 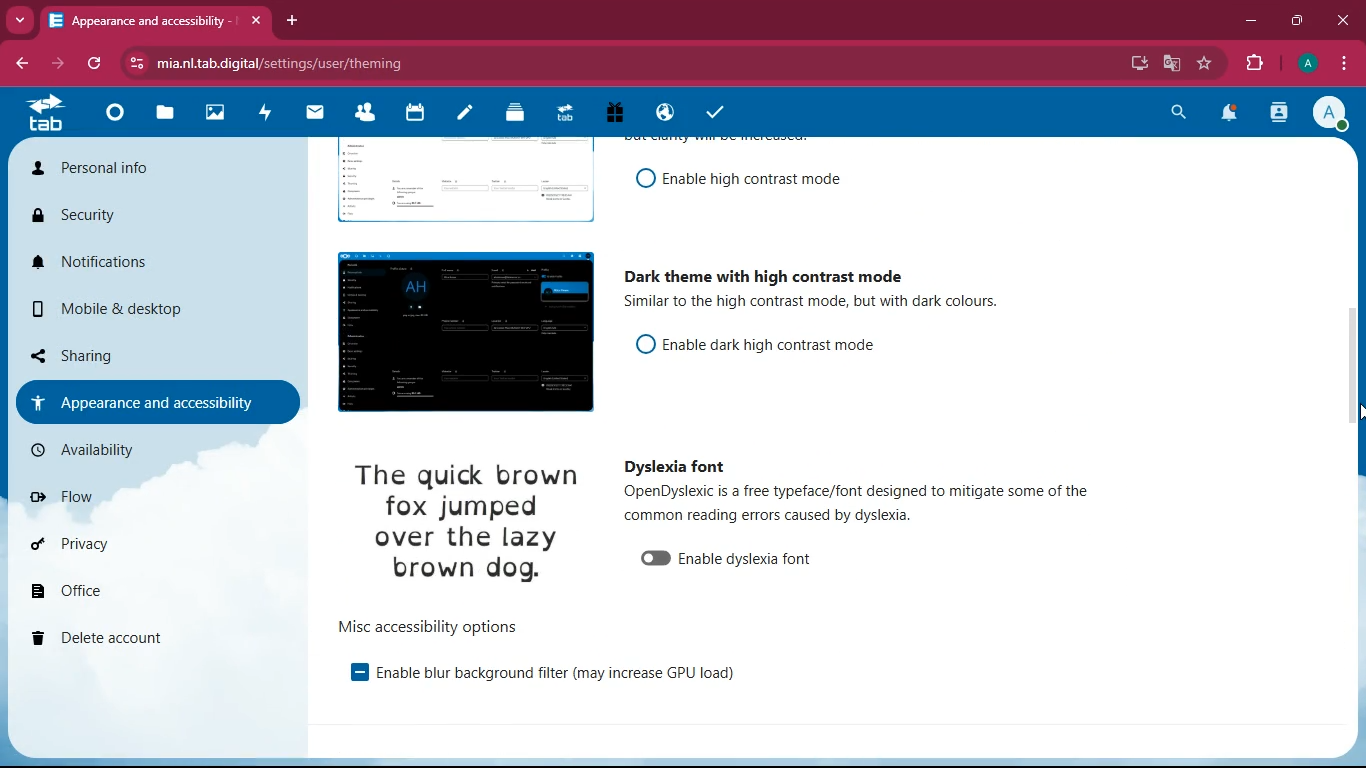 I want to click on close, so click(x=258, y=21).